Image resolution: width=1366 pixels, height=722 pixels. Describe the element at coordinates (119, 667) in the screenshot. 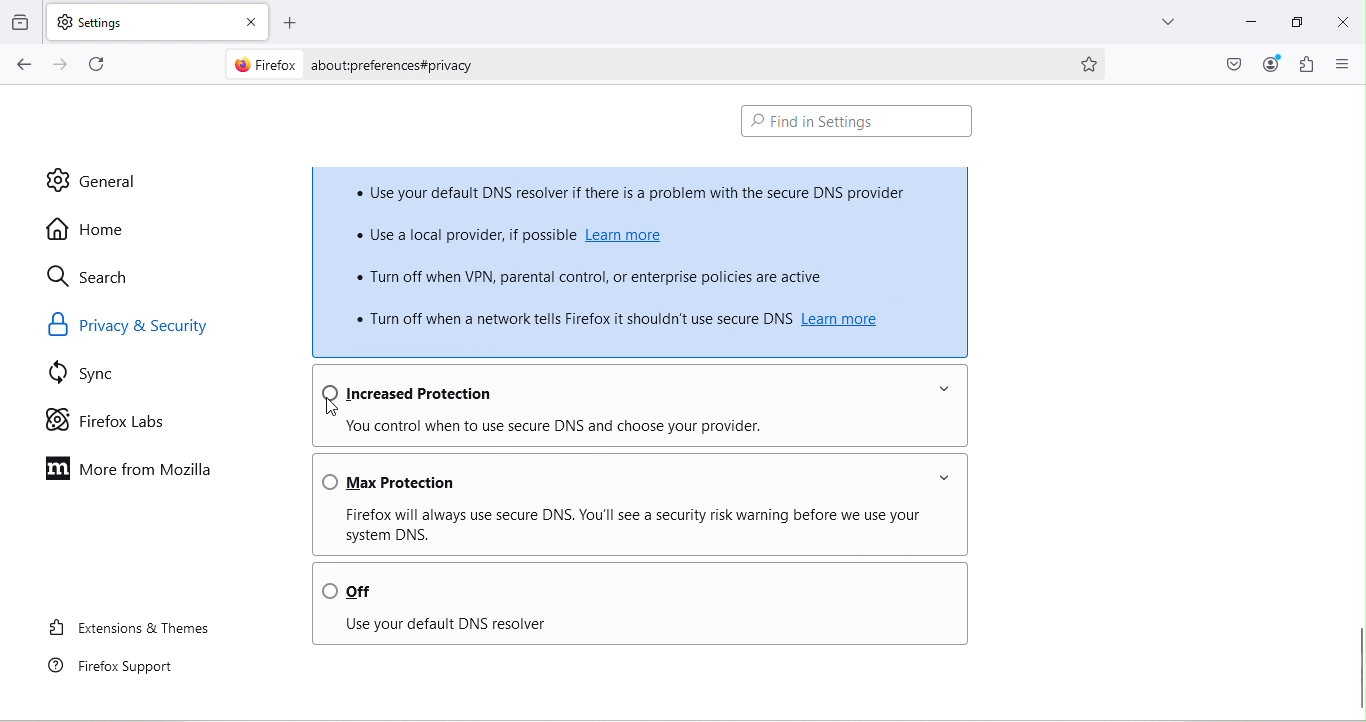

I see `Firefox support` at that location.